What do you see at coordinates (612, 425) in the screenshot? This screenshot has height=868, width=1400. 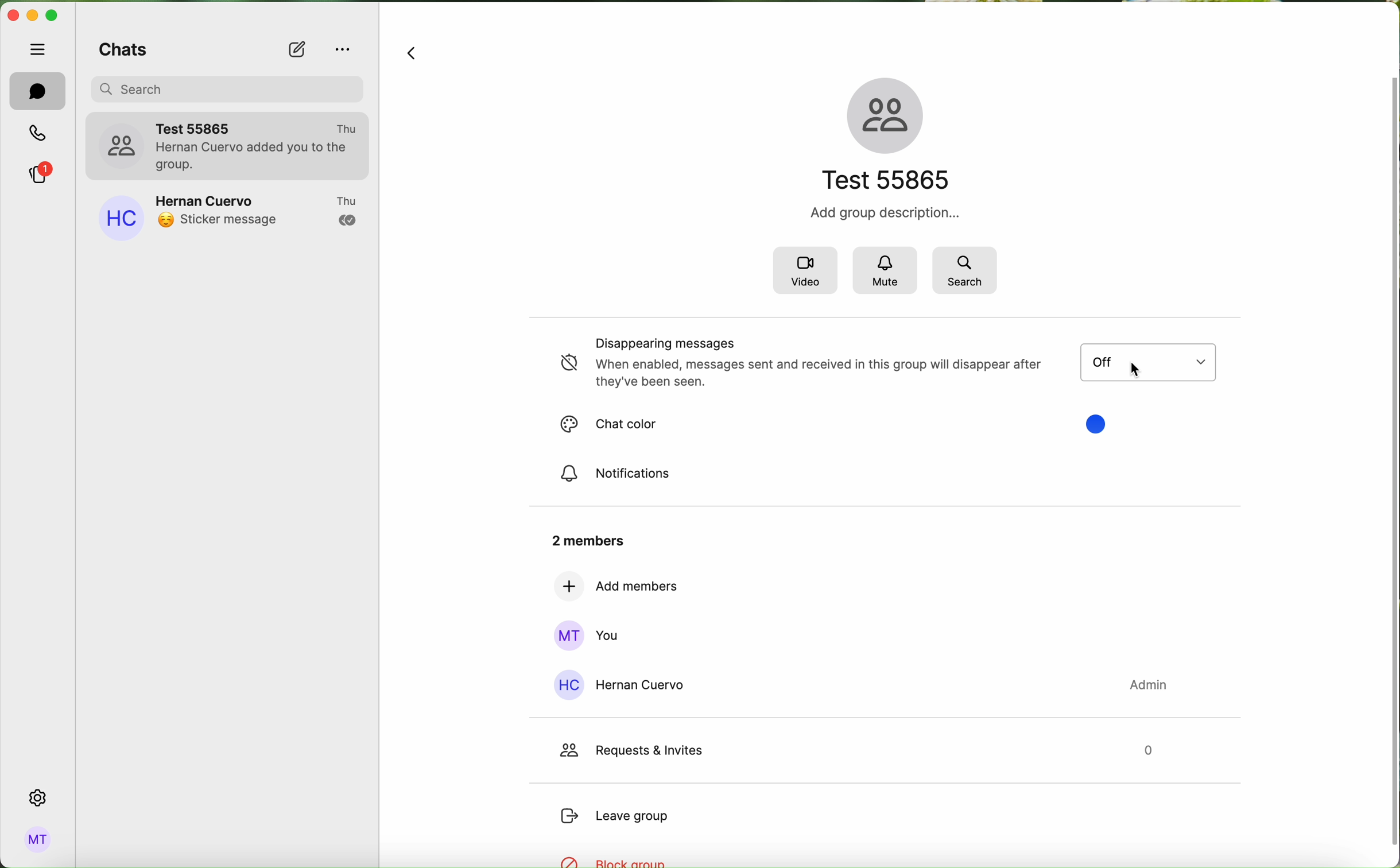 I see `chat color` at bounding box center [612, 425].